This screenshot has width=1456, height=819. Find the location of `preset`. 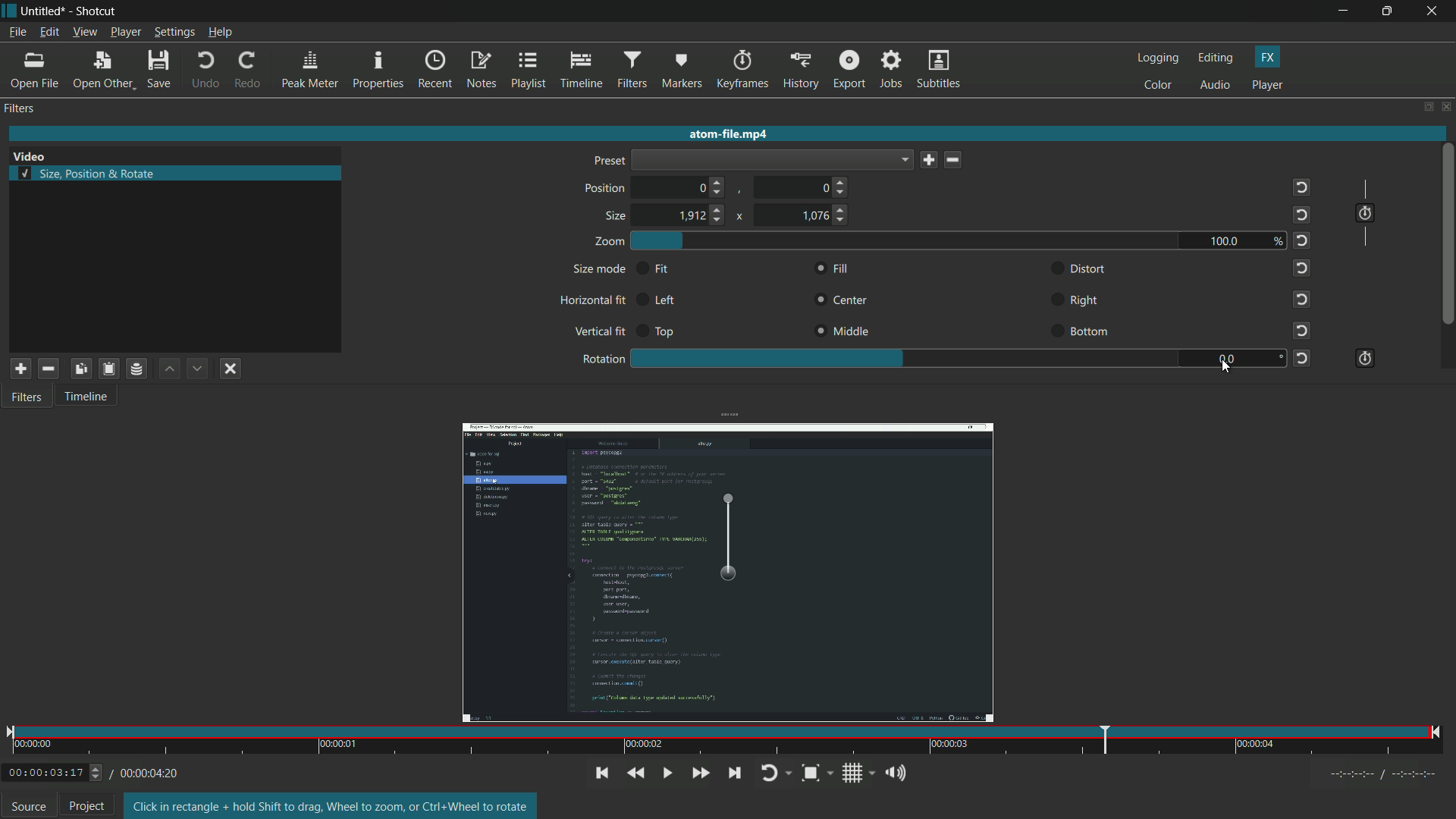

preset is located at coordinates (607, 160).